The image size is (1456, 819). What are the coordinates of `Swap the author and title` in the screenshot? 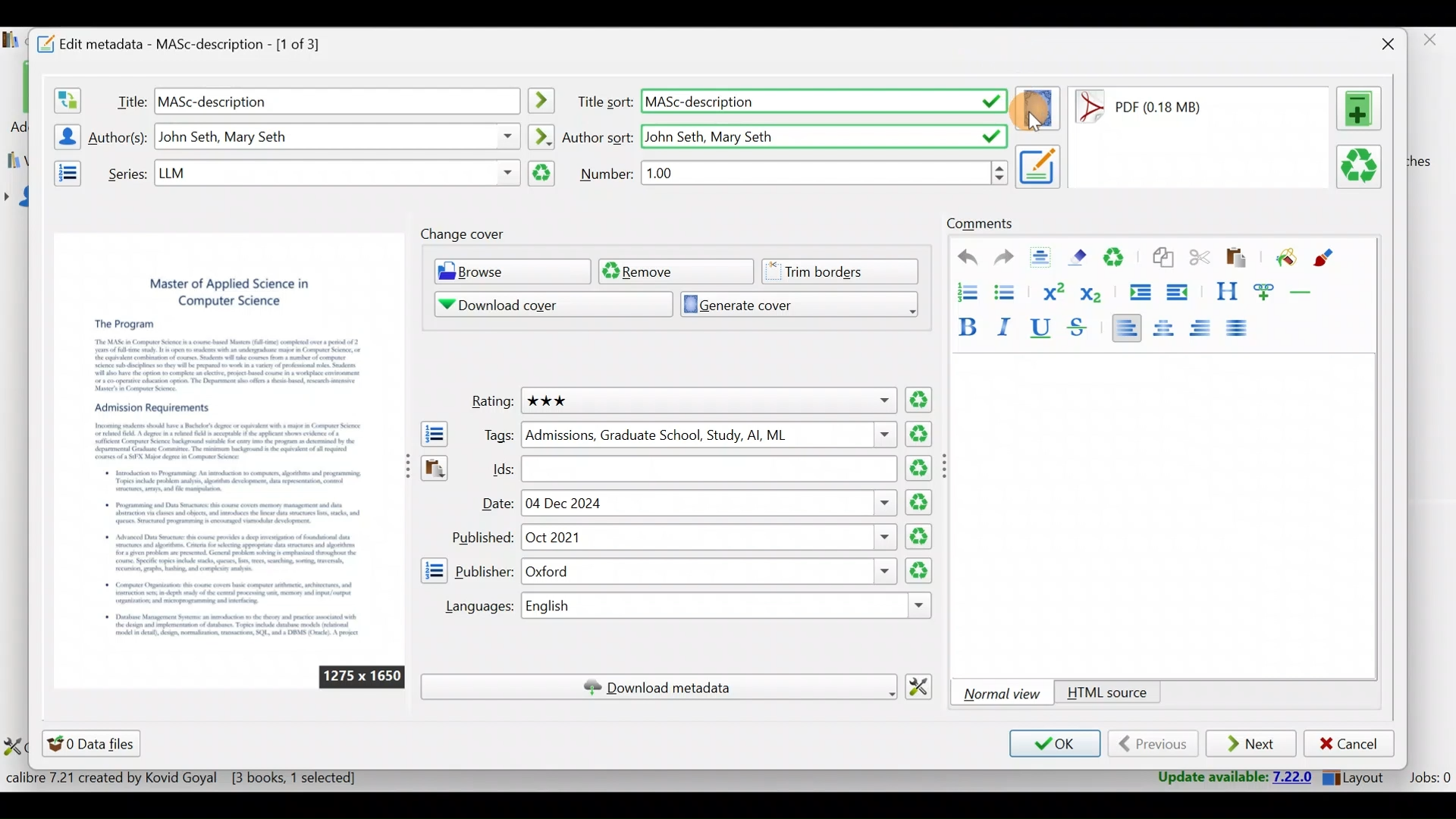 It's located at (66, 97).